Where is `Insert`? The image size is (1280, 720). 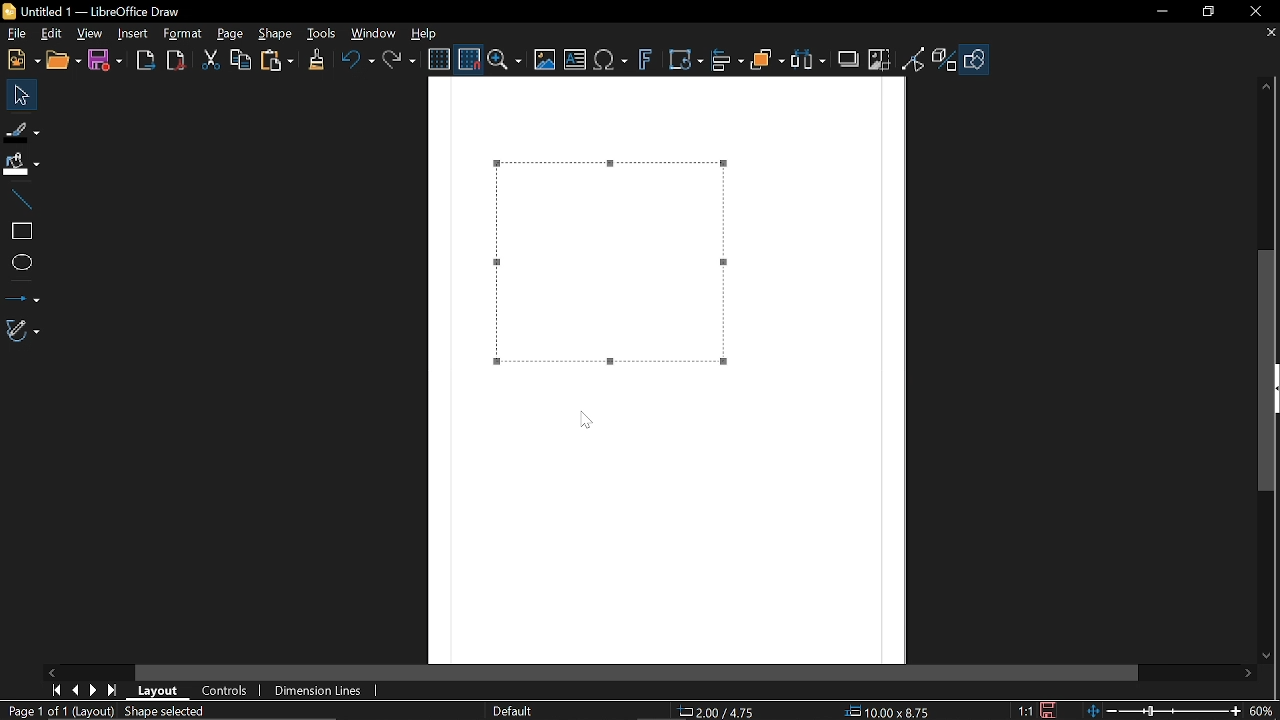 Insert is located at coordinates (134, 35).